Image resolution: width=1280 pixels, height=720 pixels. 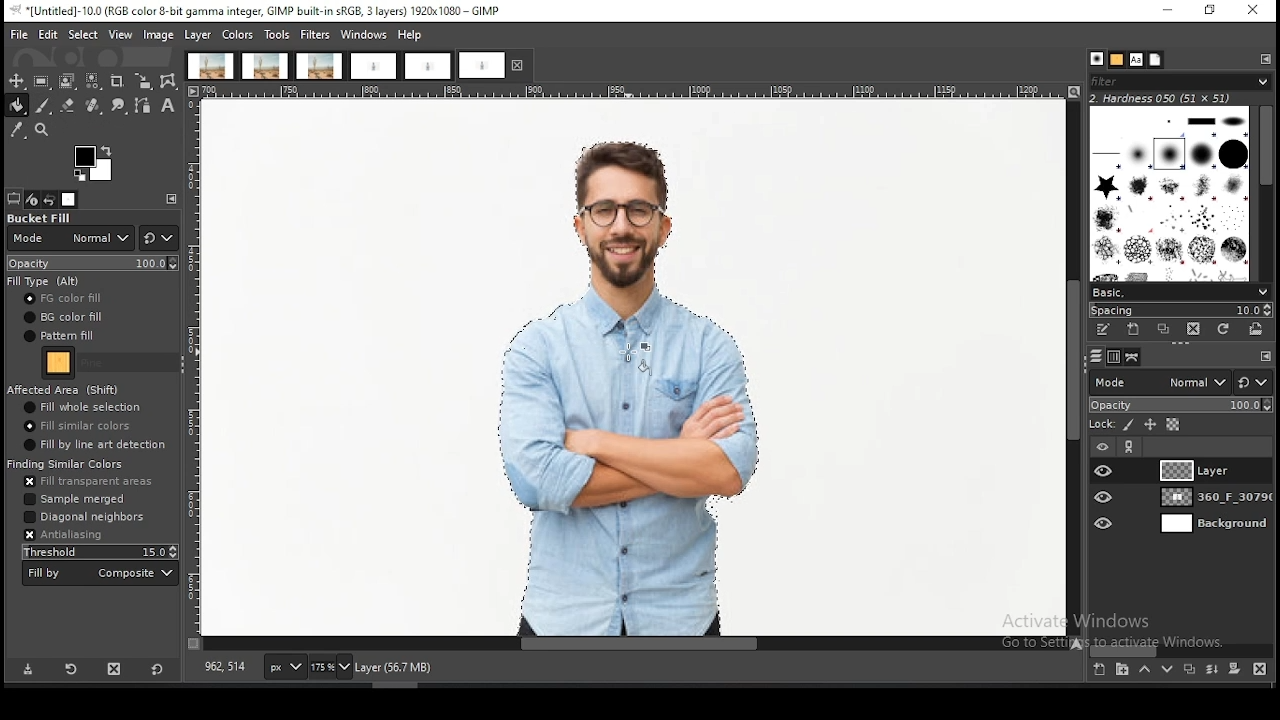 What do you see at coordinates (89, 483) in the screenshot?
I see `fill transperent areas` at bounding box center [89, 483].